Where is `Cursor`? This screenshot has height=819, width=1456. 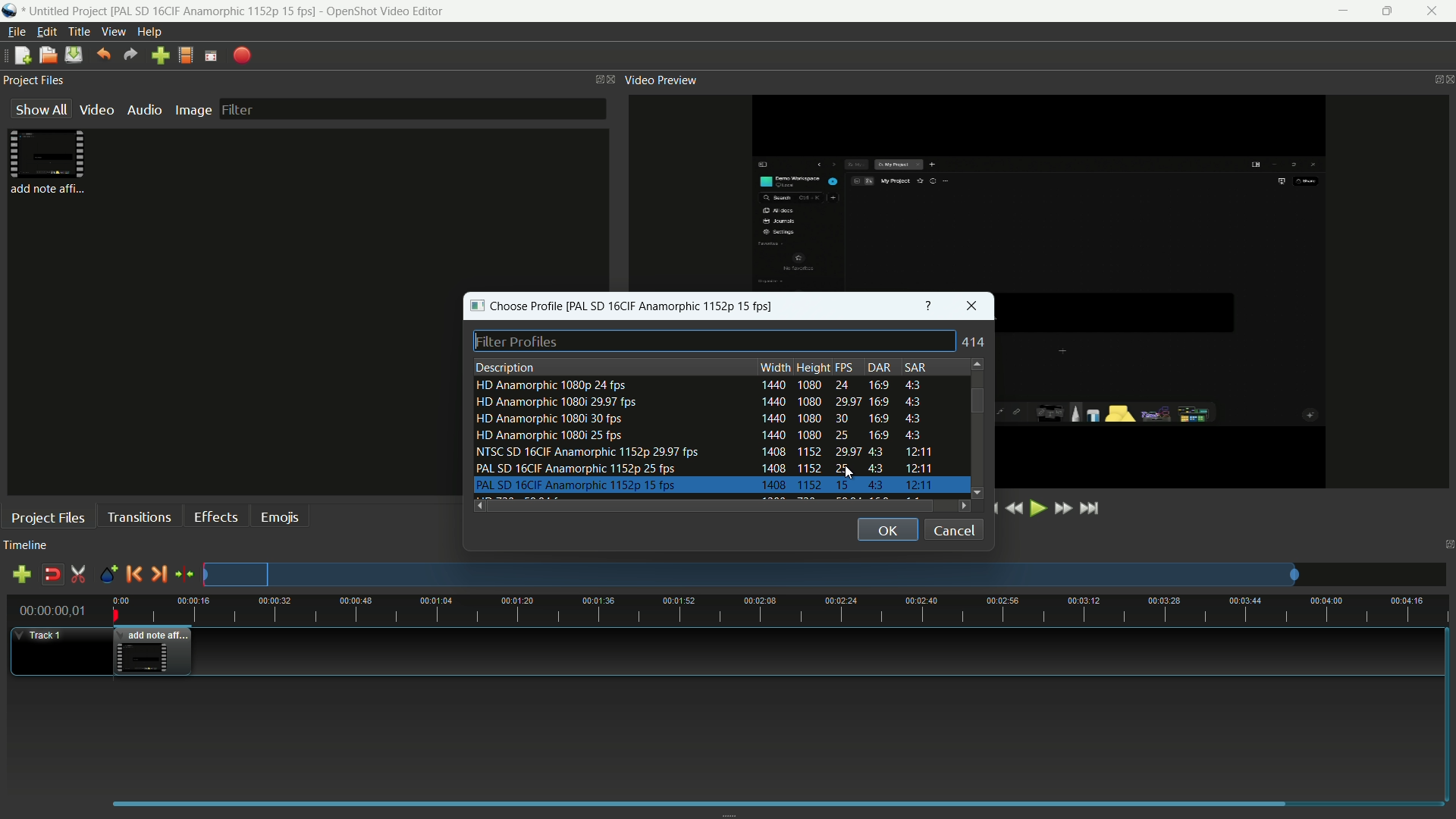 Cursor is located at coordinates (852, 474).